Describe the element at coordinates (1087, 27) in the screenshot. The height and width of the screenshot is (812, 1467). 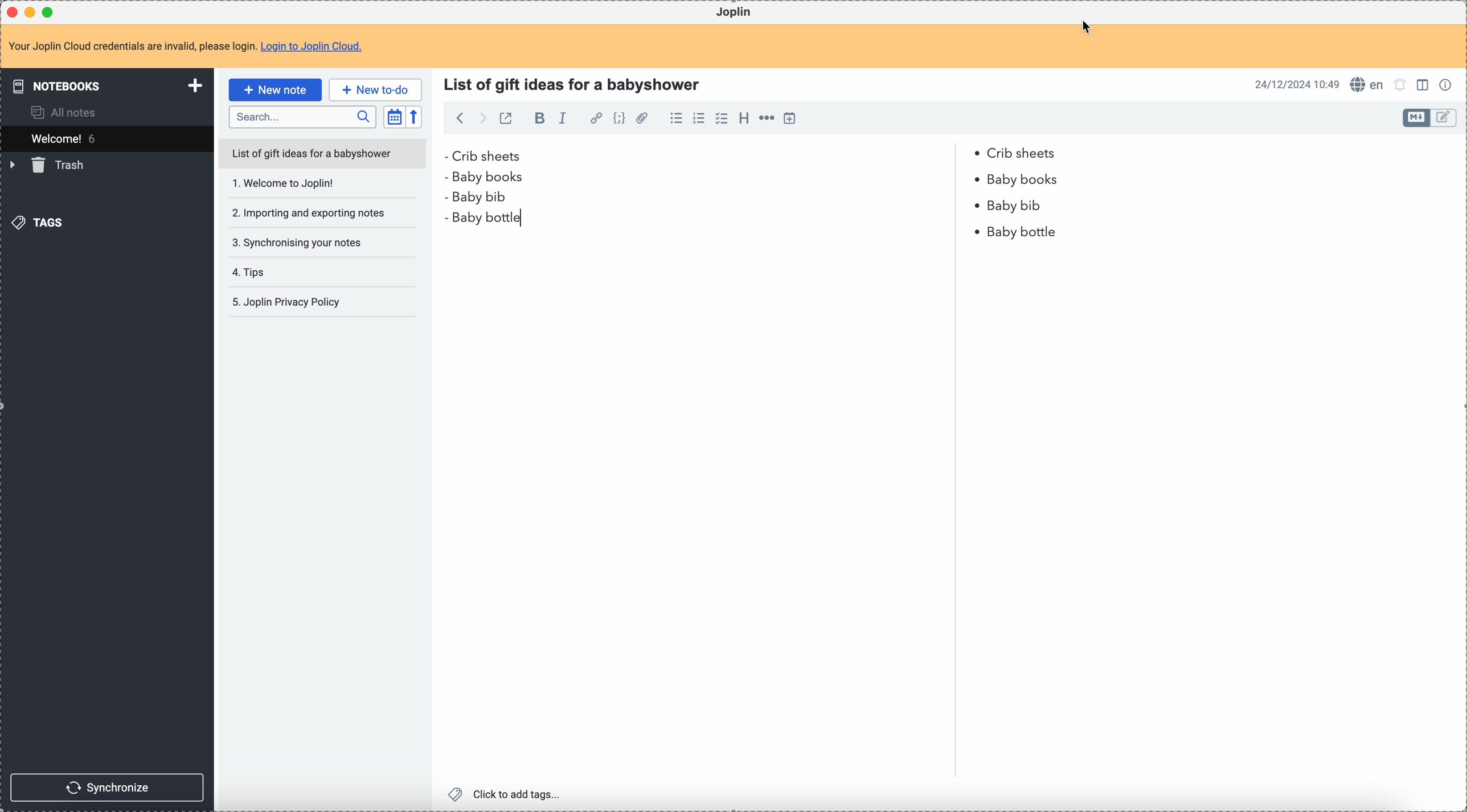
I see `cursor` at that location.